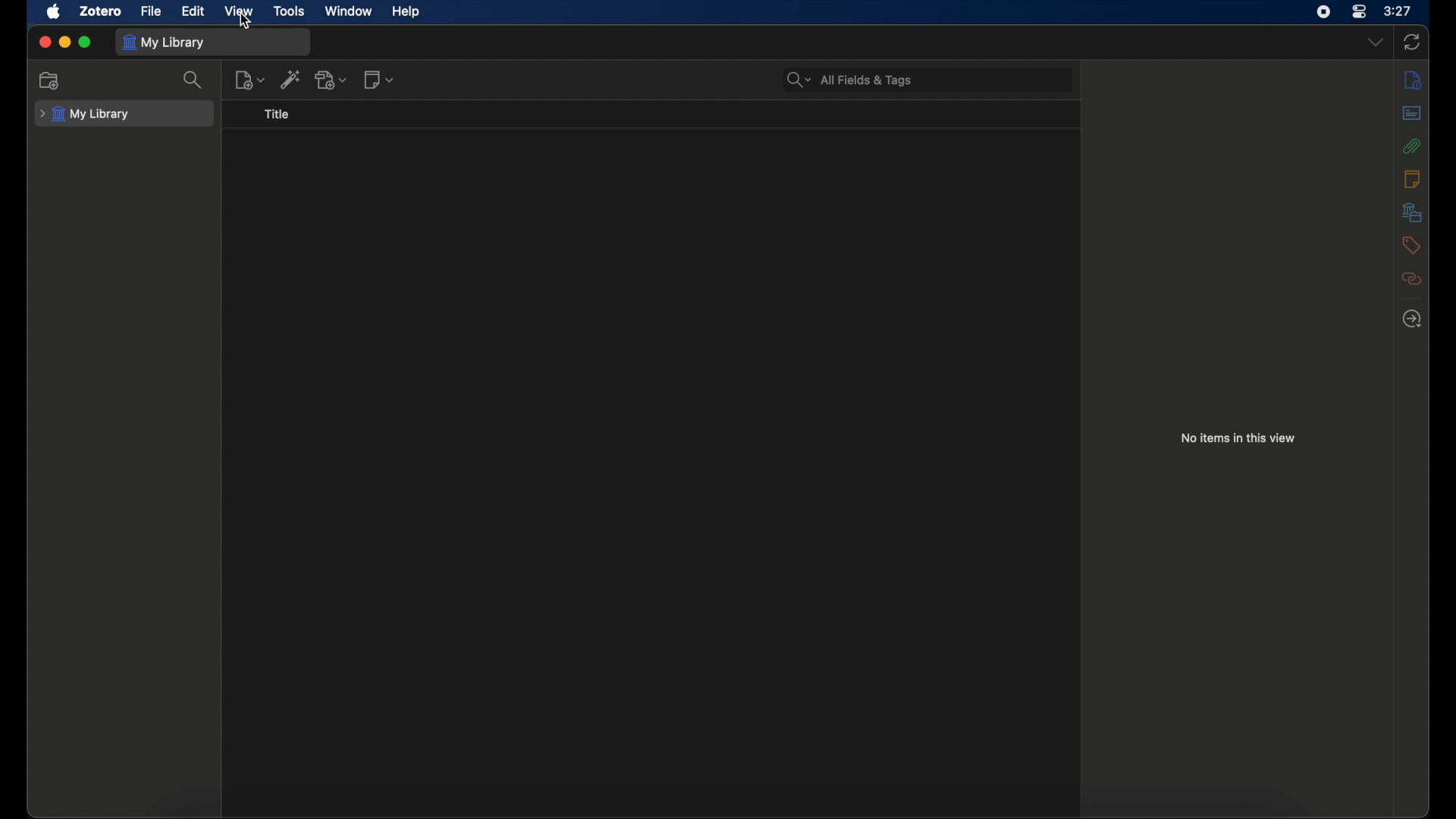 The image size is (1456, 819). I want to click on sync, so click(1415, 42).